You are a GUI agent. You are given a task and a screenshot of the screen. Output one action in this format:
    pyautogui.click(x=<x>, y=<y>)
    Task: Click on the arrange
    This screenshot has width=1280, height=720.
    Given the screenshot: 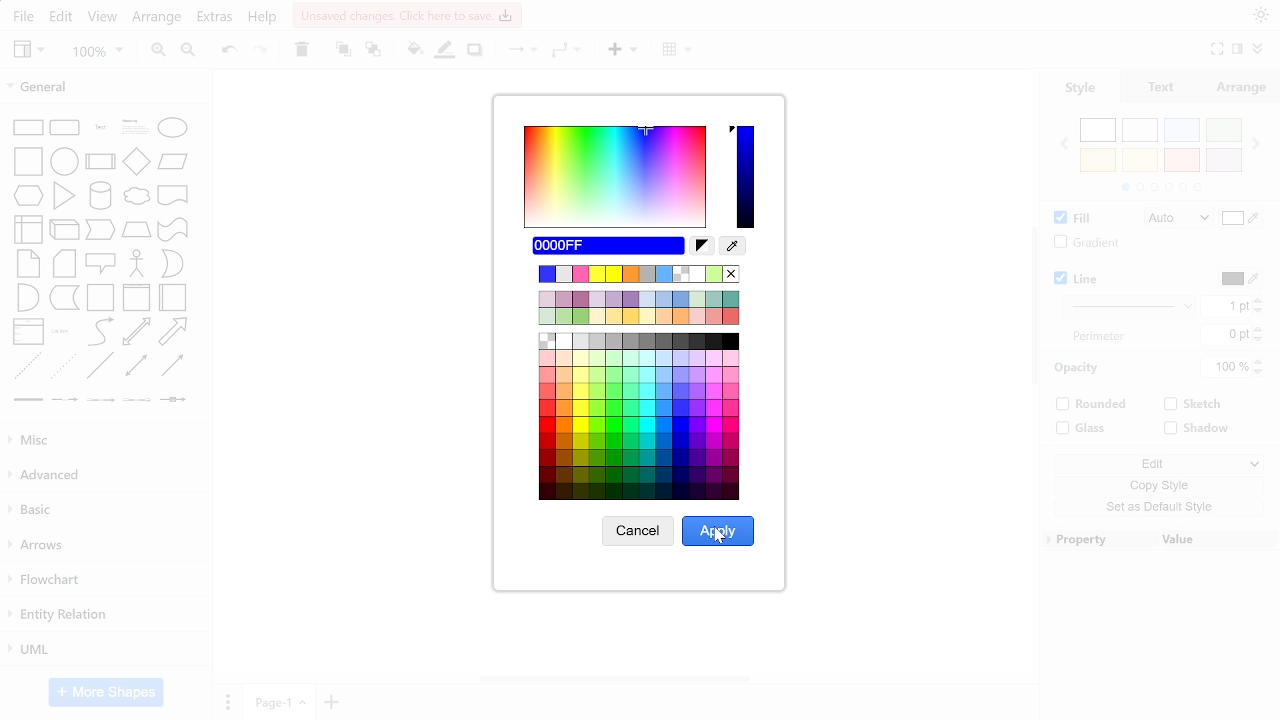 What is the action you would take?
    pyautogui.click(x=156, y=20)
    